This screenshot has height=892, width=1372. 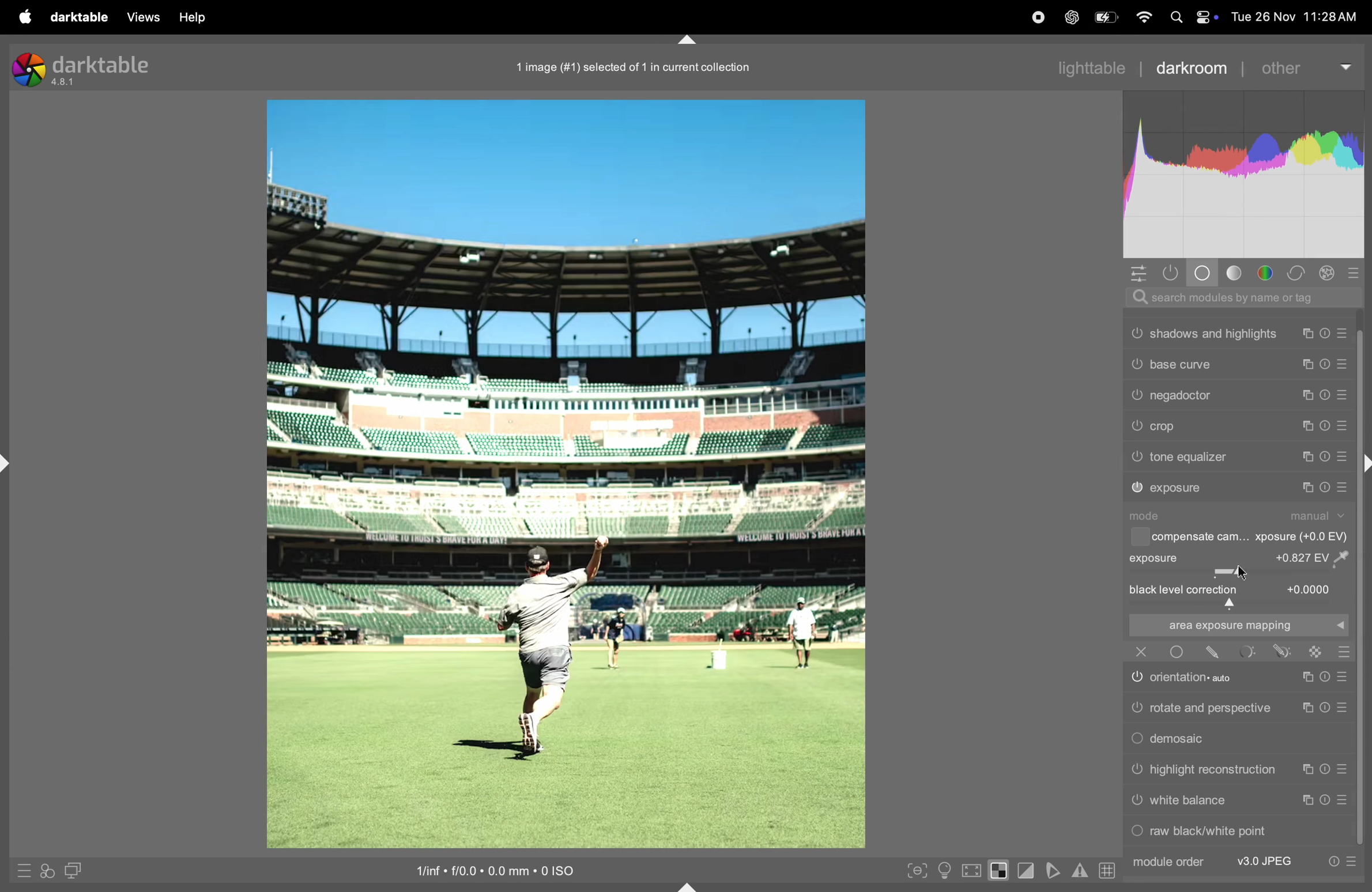 What do you see at coordinates (689, 885) in the screenshot?
I see `expand or collapse ` at bounding box center [689, 885].